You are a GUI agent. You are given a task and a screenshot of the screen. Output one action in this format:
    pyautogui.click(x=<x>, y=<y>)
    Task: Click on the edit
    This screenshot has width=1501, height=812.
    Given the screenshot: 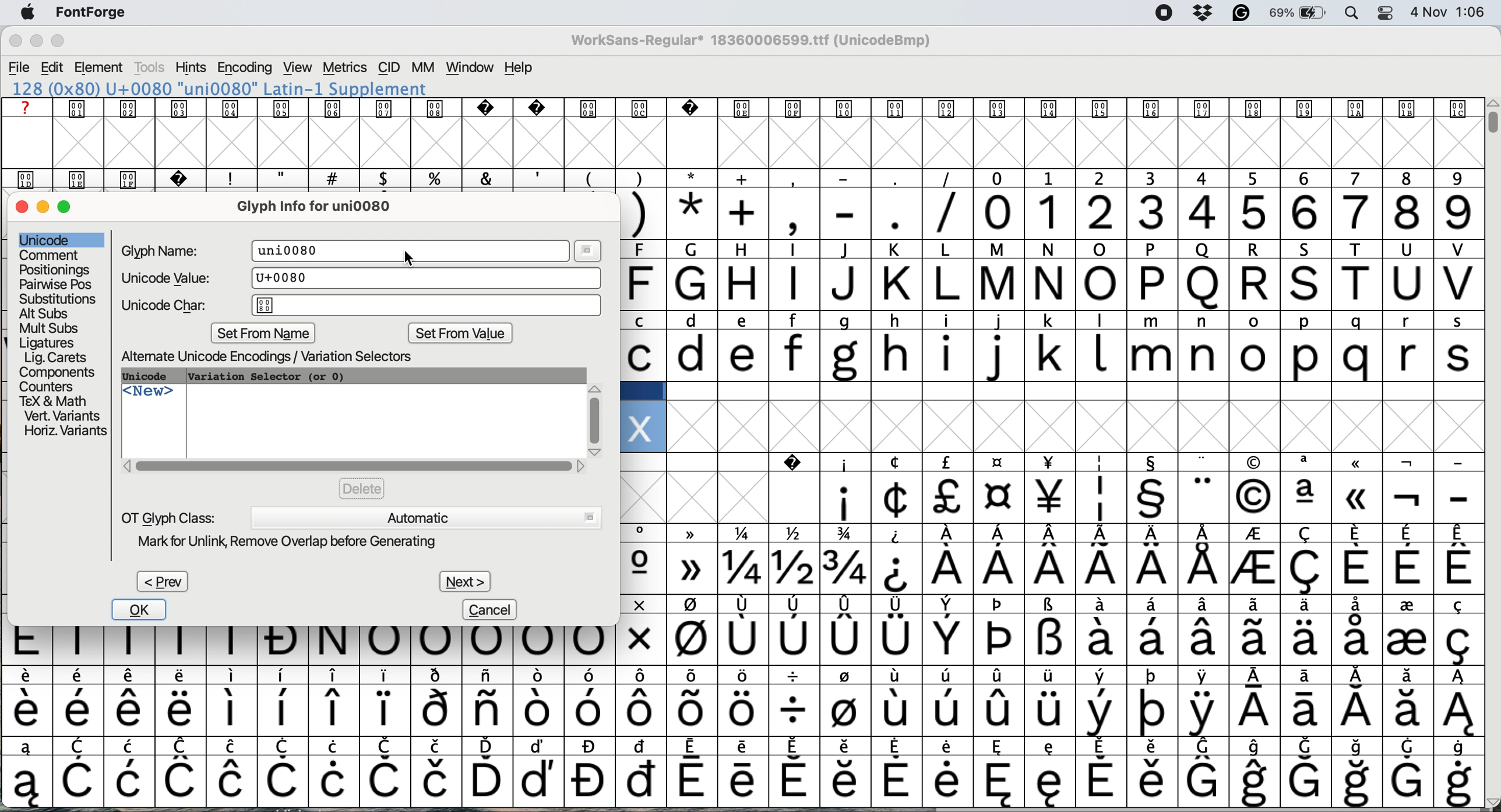 What is the action you would take?
    pyautogui.click(x=54, y=67)
    